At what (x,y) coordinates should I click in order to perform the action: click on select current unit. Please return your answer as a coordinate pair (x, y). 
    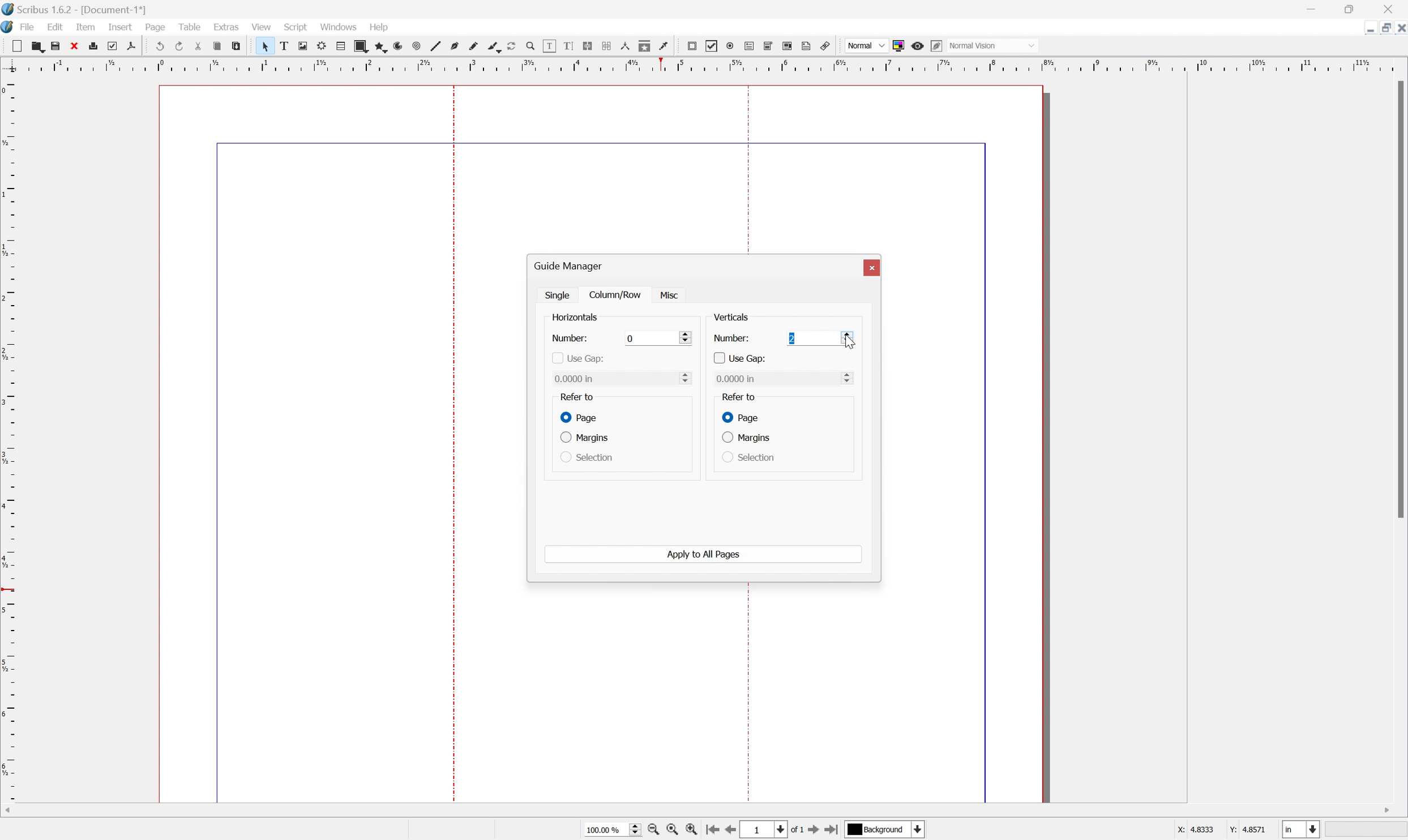
    Looking at the image, I should click on (1301, 829).